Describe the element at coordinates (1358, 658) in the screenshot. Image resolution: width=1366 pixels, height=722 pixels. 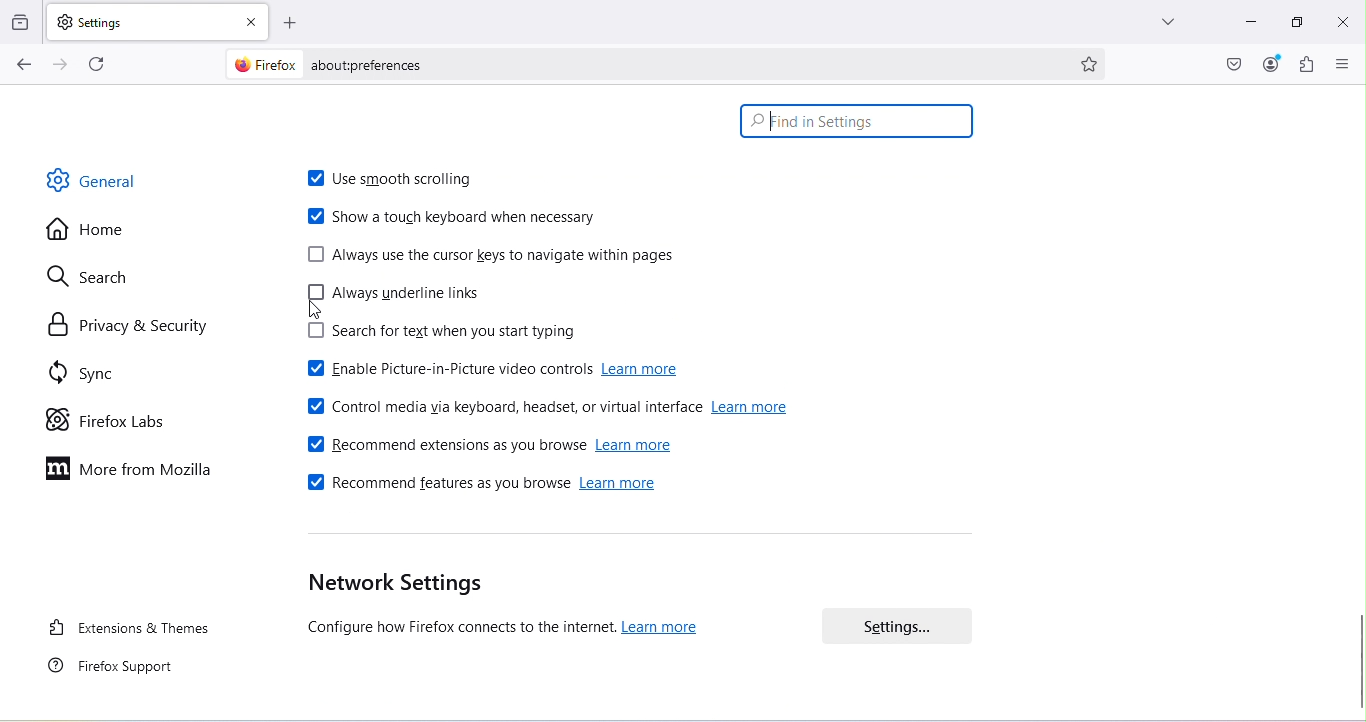
I see `Scroll bar` at that location.